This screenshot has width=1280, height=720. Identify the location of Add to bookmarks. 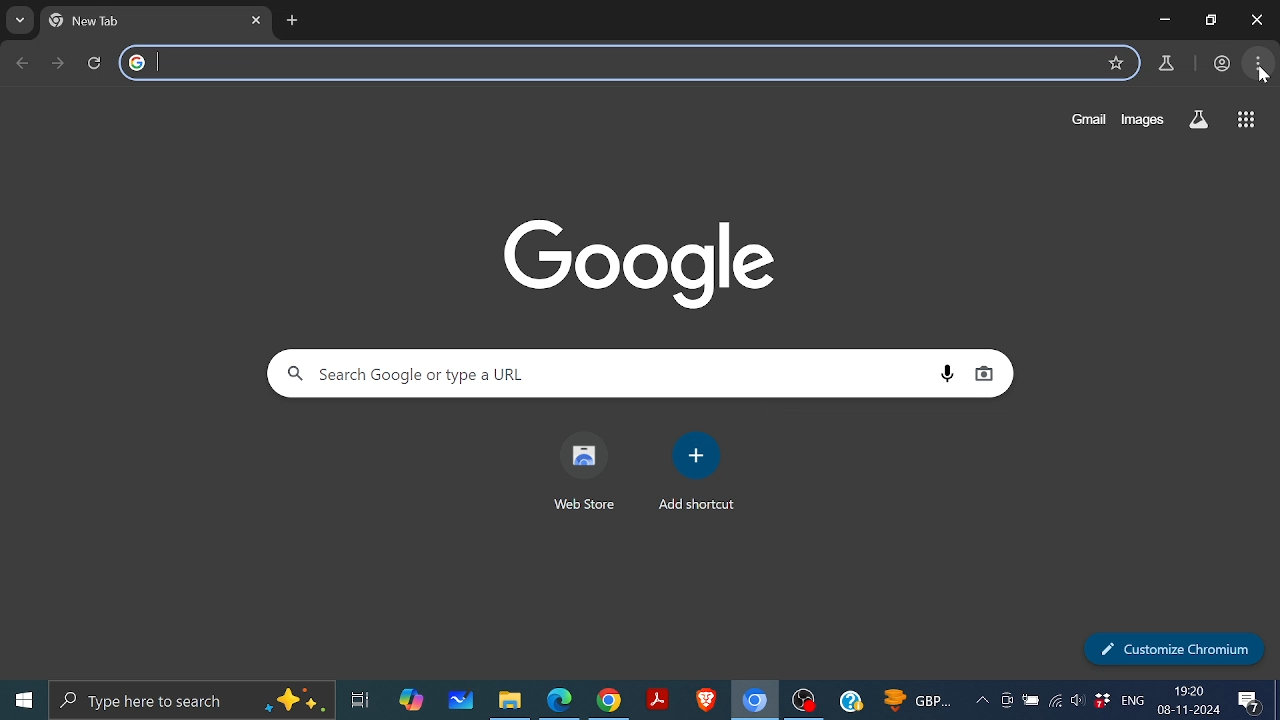
(1115, 64).